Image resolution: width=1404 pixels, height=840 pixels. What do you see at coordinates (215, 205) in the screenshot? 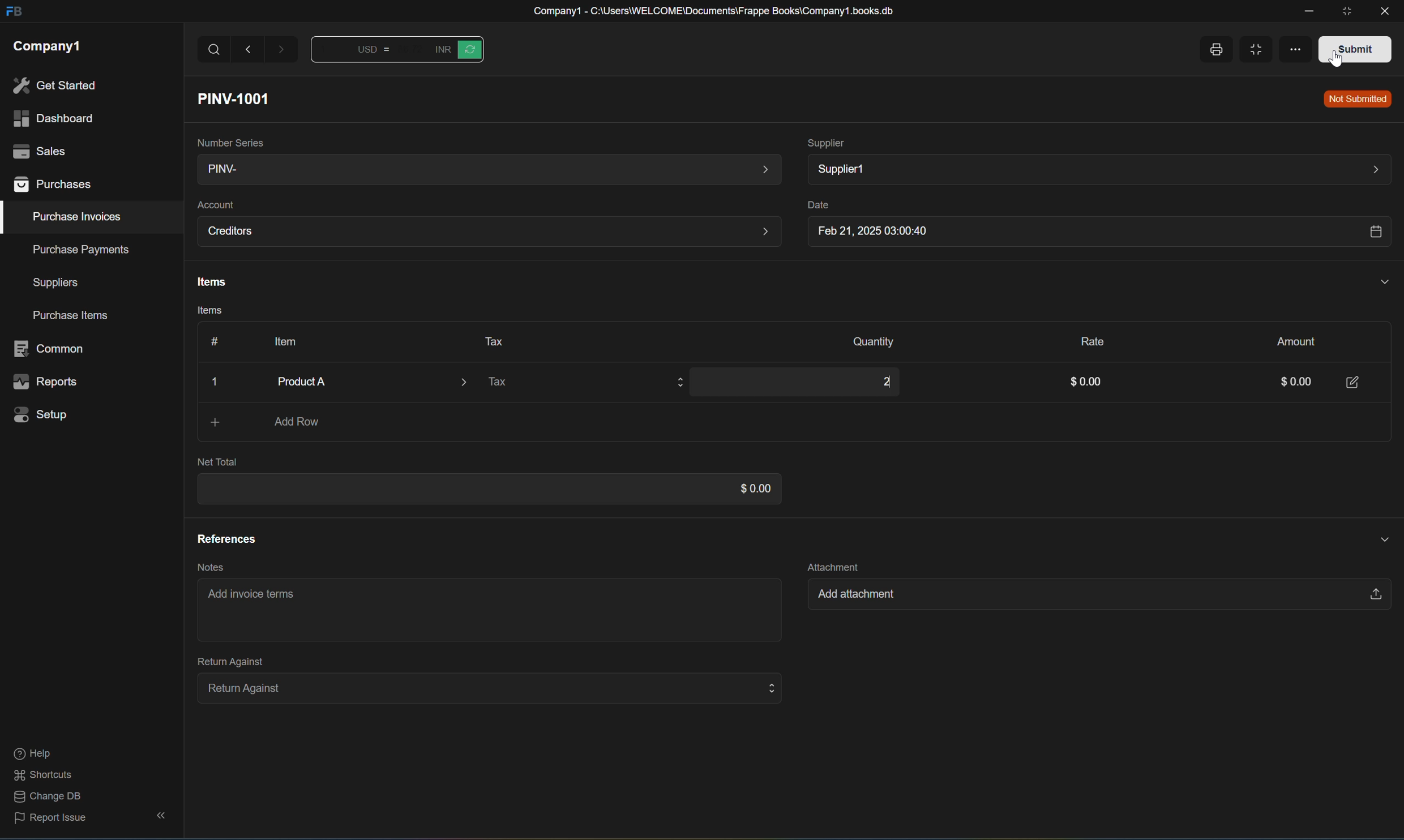
I see `Account` at bounding box center [215, 205].